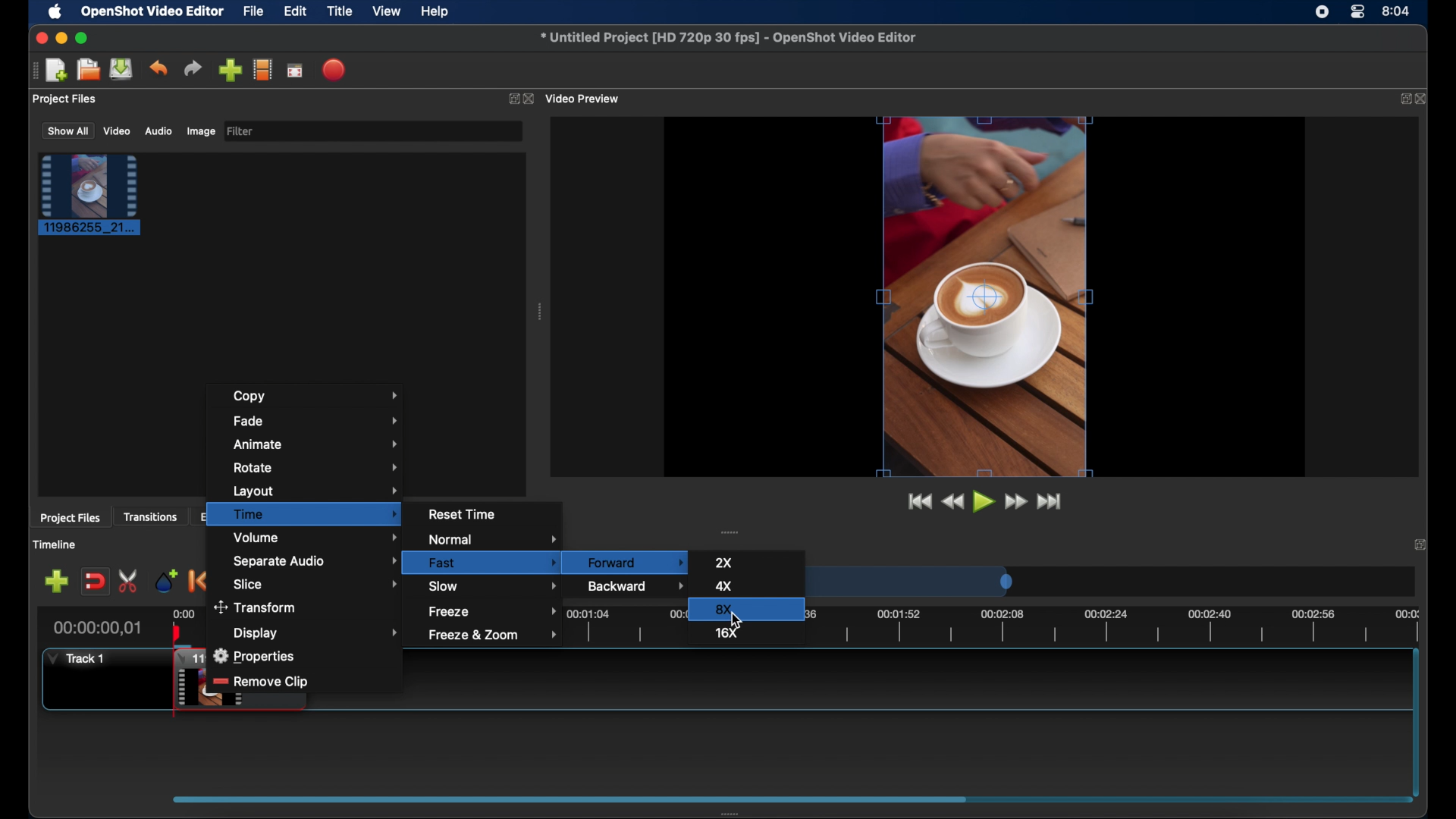 Image resolution: width=1456 pixels, height=819 pixels. I want to click on video preview, so click(585, 98).